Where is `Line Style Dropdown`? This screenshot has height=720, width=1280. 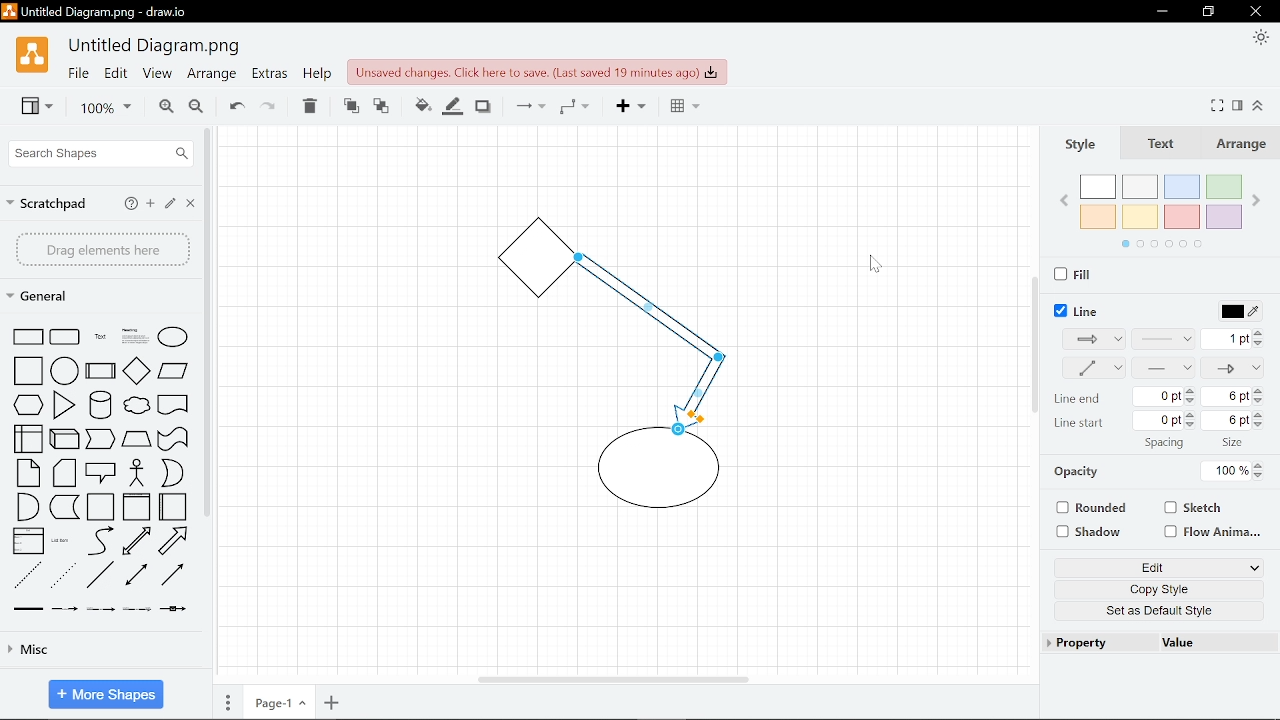
Line Style Dropdown is located at coordinates (1163, 340).